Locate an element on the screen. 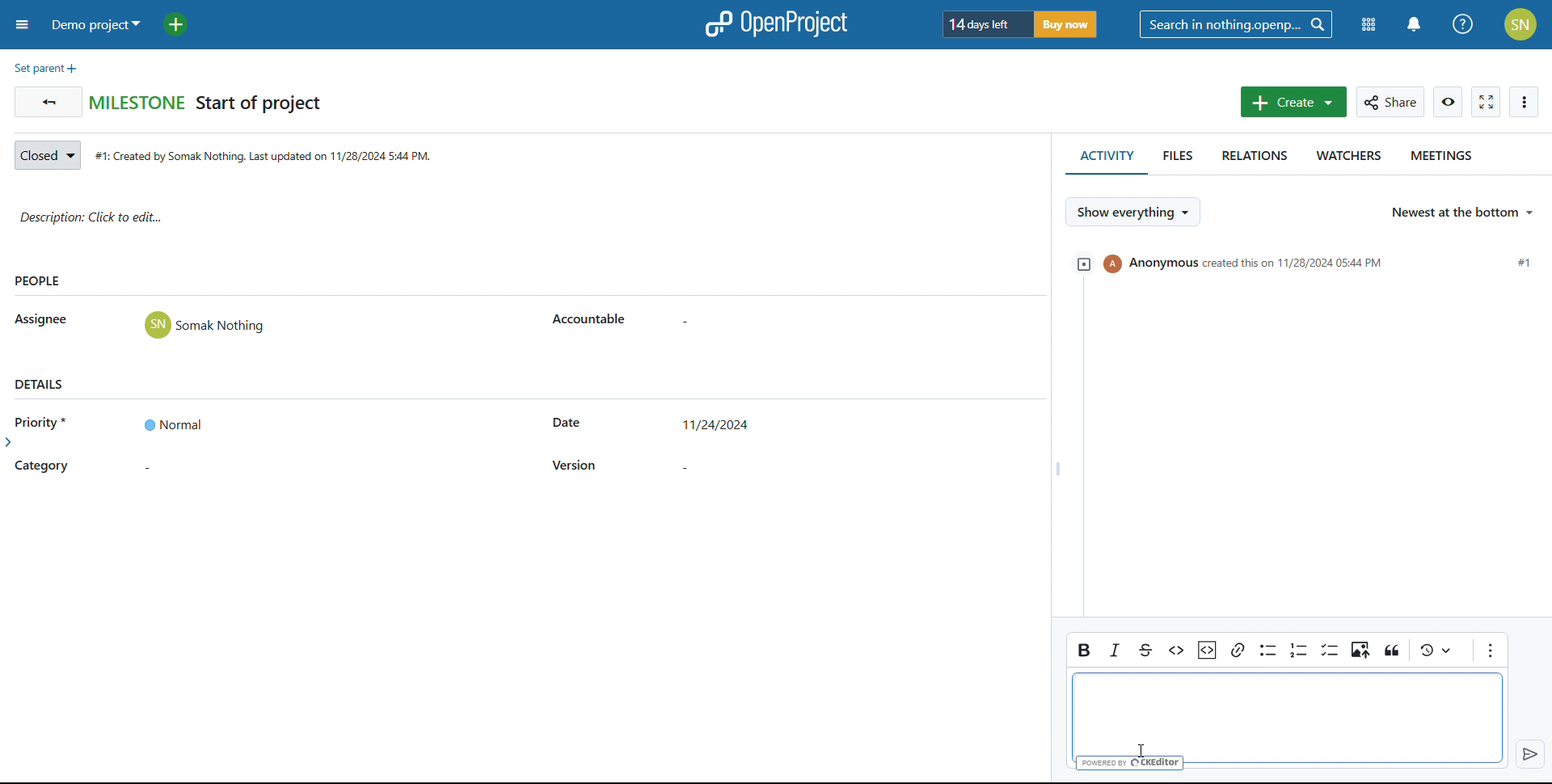 The image size is (1552, 784). strikethrough is located at coordinates (1144, 650).